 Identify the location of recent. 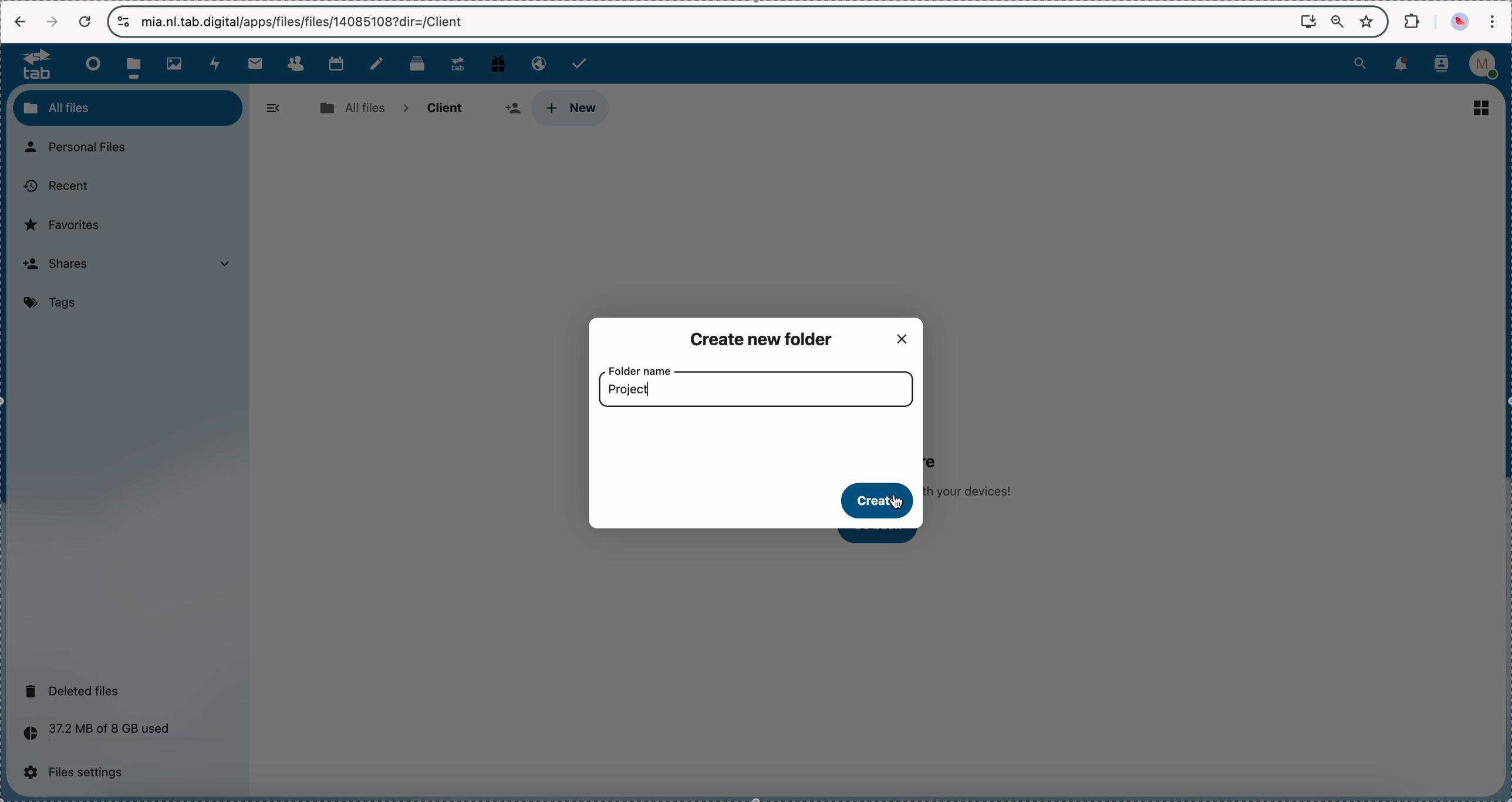
(55, 187).